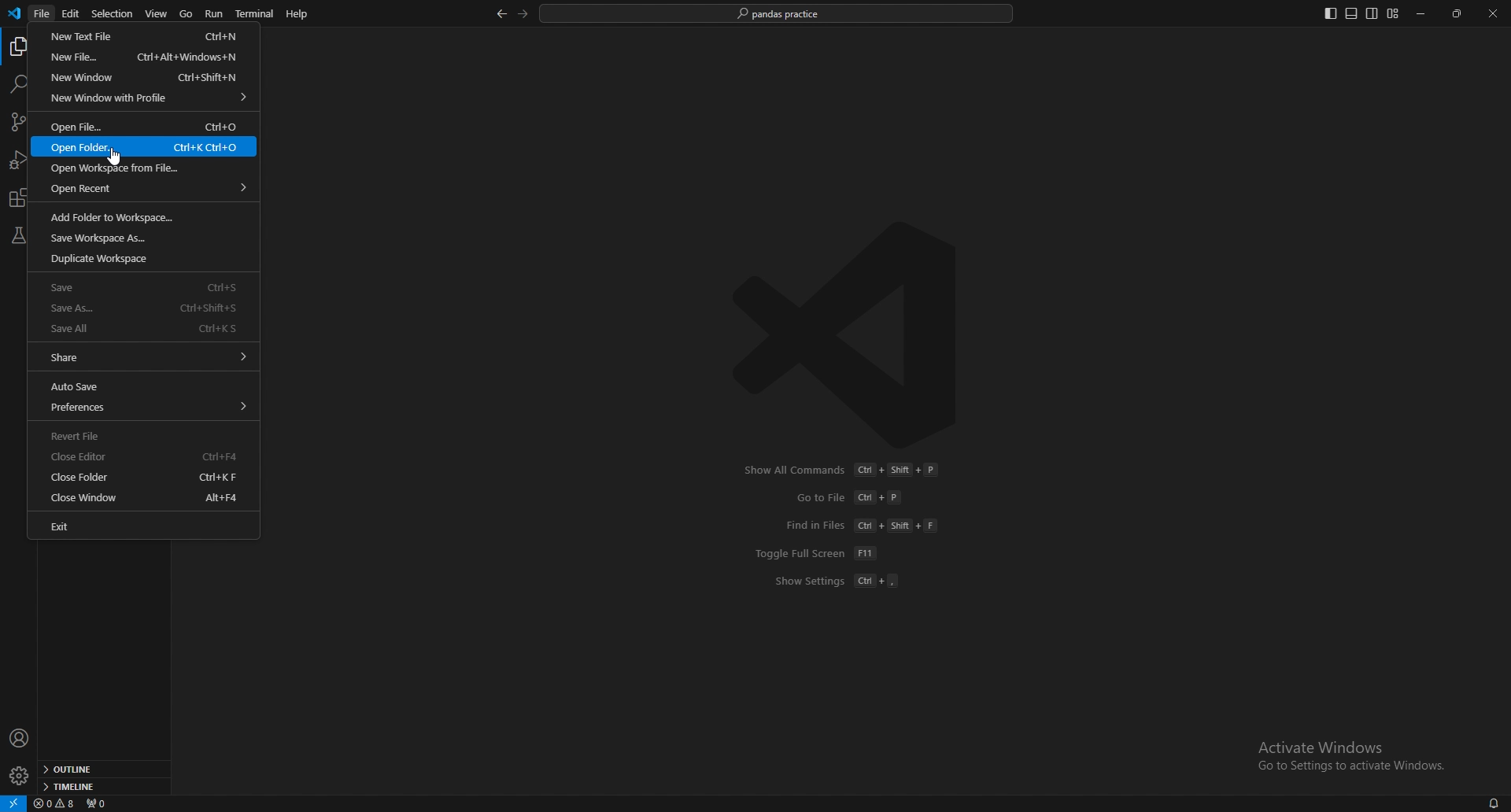 The height and width of the screenshot is (812, 1511). Describe the element at coordinates (1332, 13) in the screenshot. I see `toggle primary side bar` at that location.